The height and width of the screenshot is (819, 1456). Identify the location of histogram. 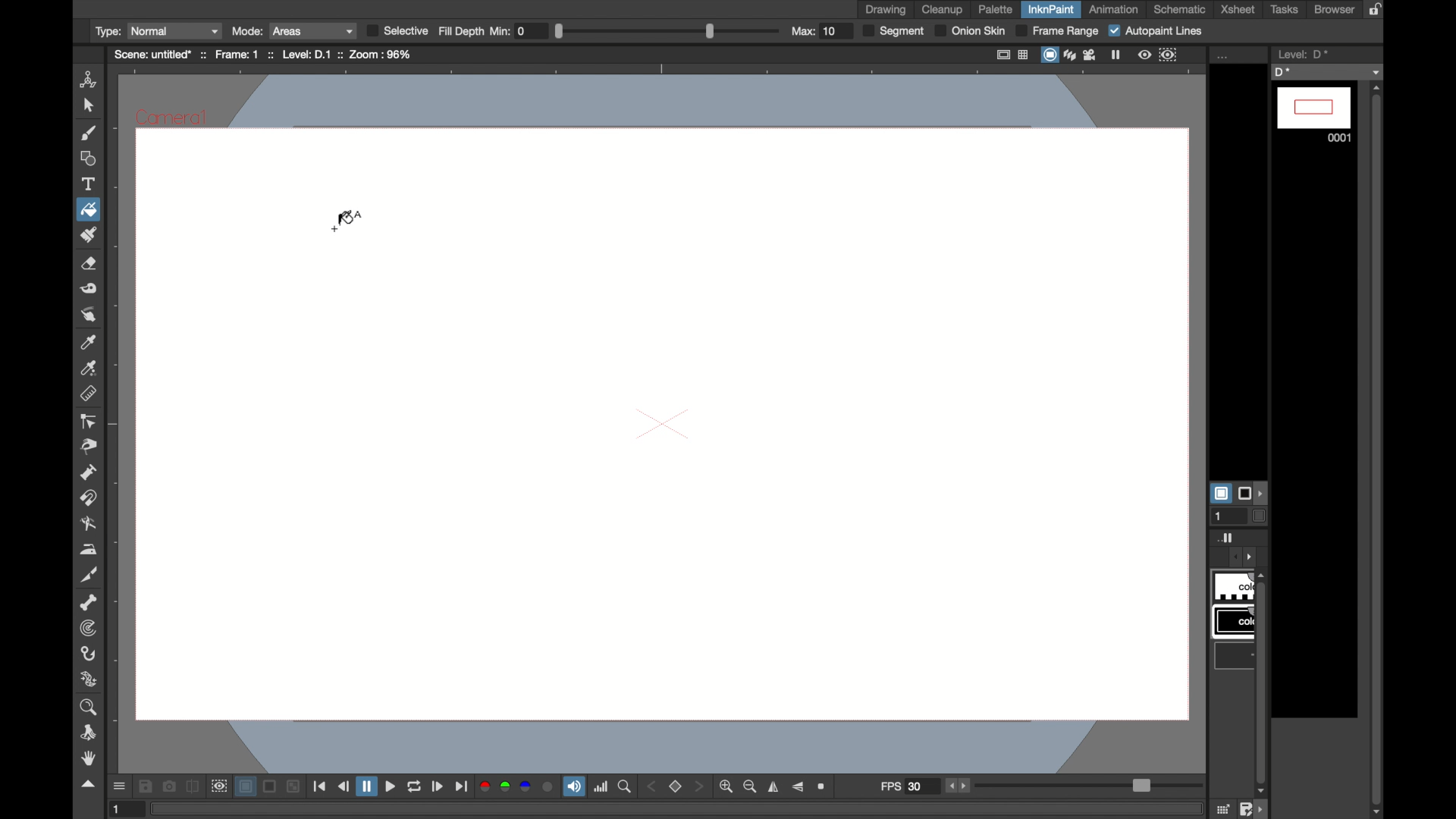
(601, 787).